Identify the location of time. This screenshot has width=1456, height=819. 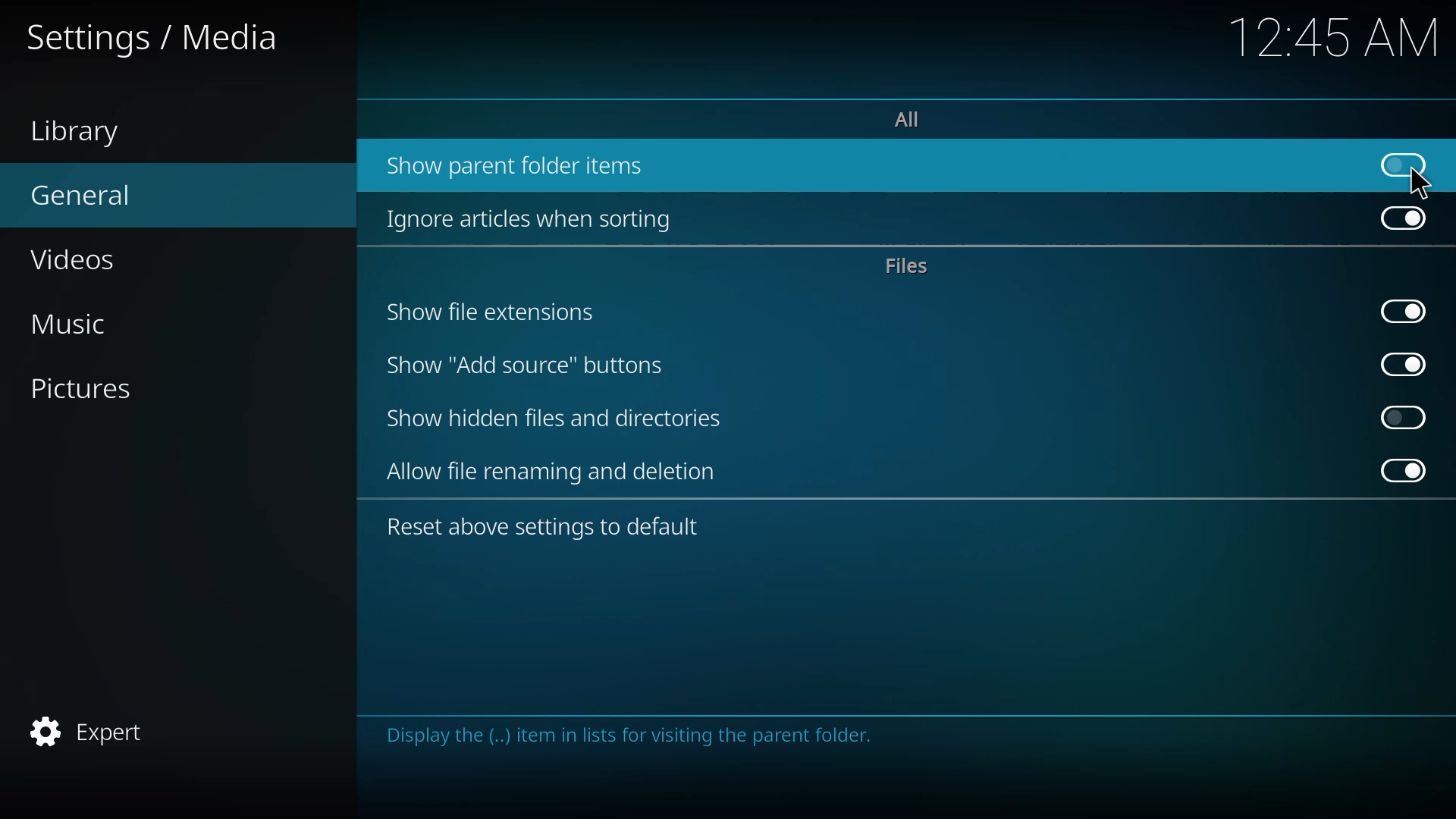
(1331, 37).